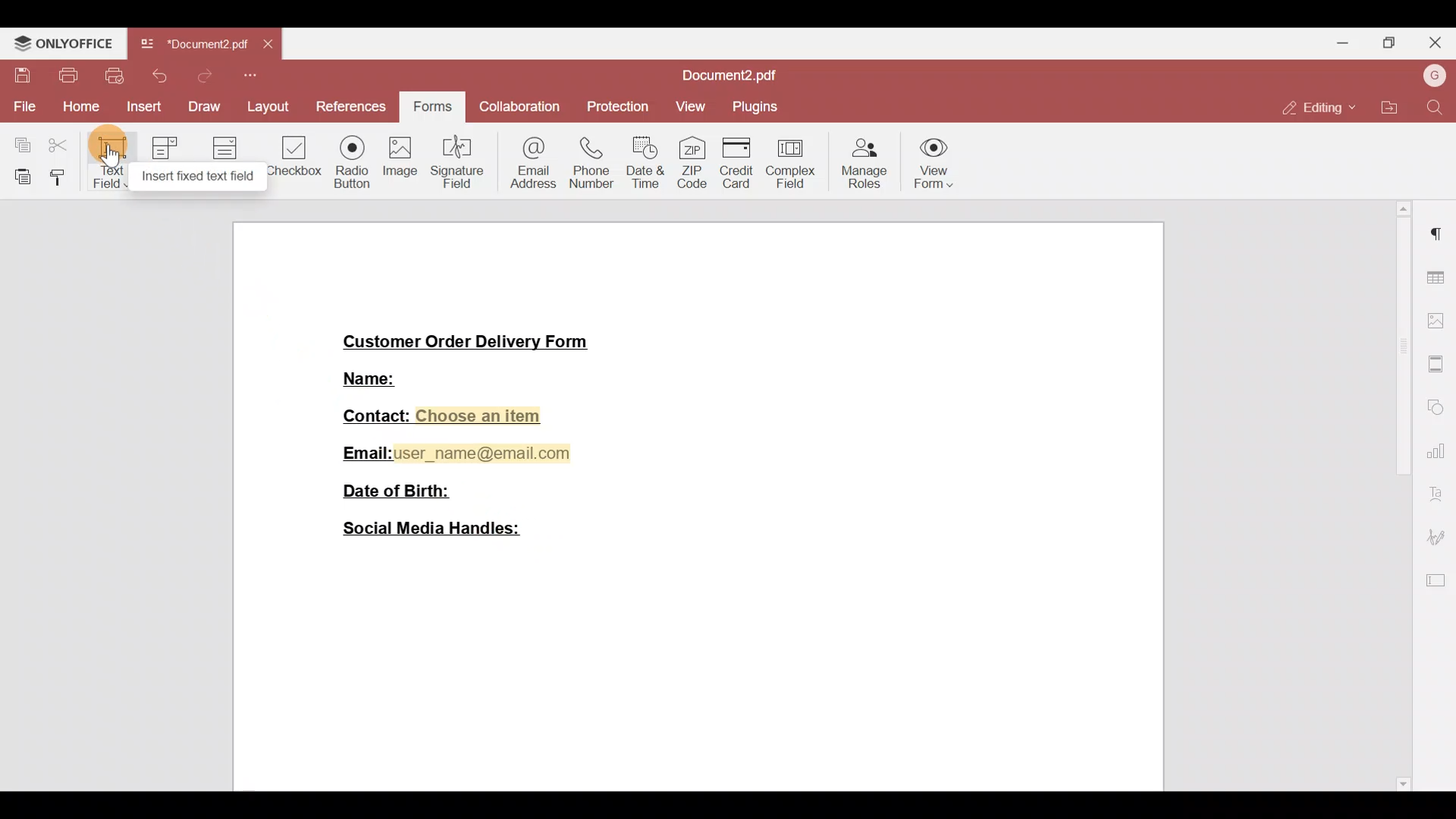  I want to click on Insert, so click(142, 108).